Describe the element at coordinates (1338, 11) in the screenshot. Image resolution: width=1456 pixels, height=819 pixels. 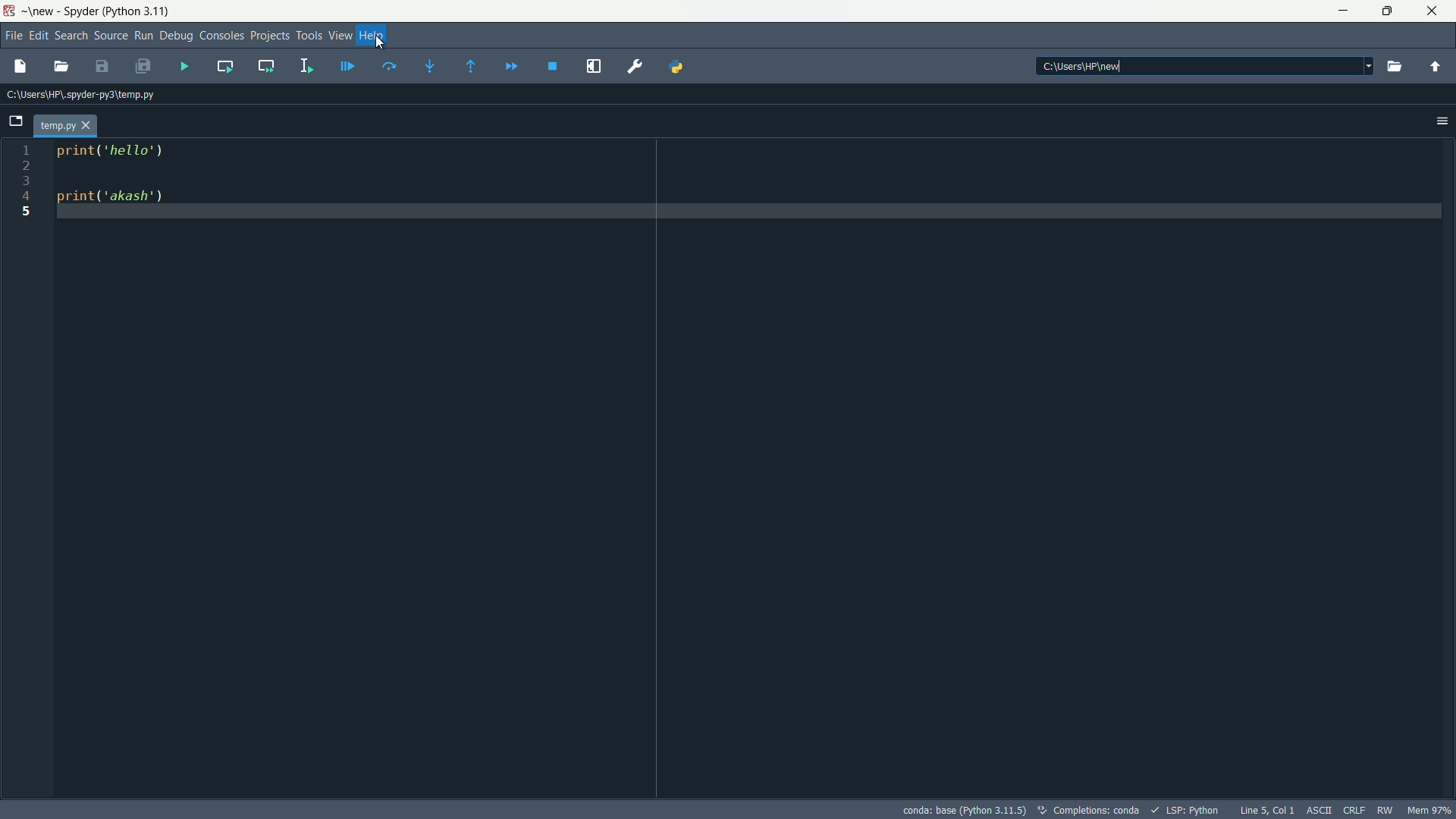
I see `minimize` at that location.